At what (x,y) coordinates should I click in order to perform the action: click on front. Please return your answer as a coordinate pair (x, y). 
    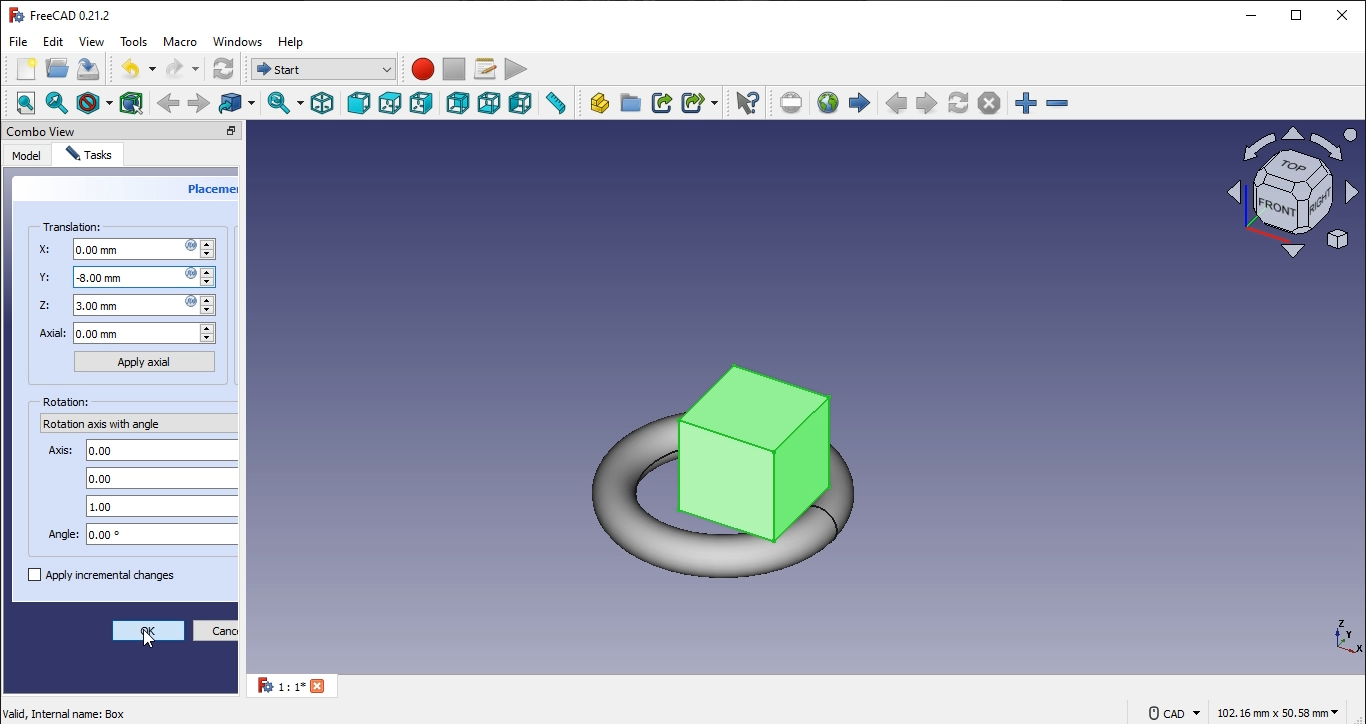
    Looking at the image, I should click on (357, 102).